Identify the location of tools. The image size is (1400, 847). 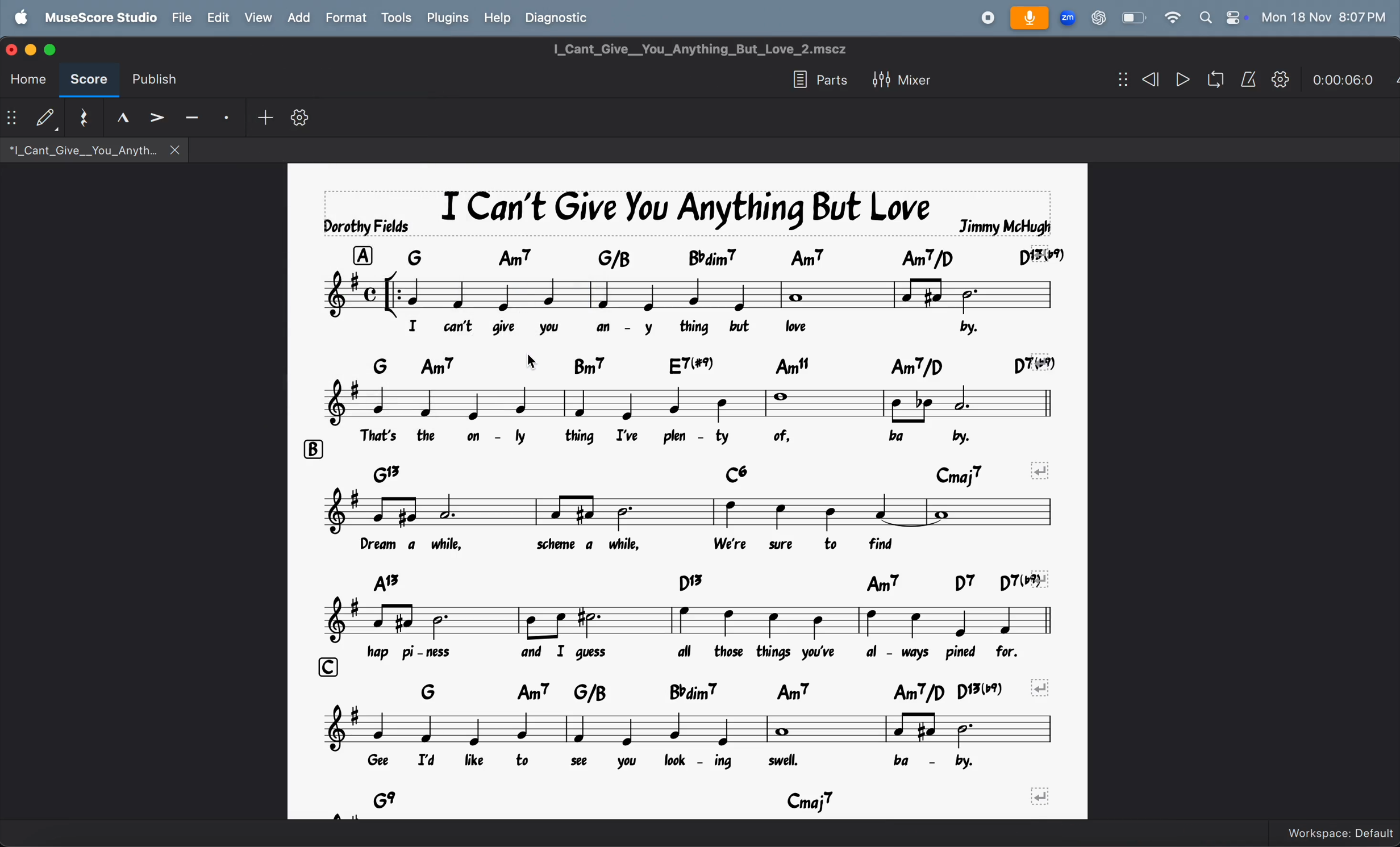
(397, 18).